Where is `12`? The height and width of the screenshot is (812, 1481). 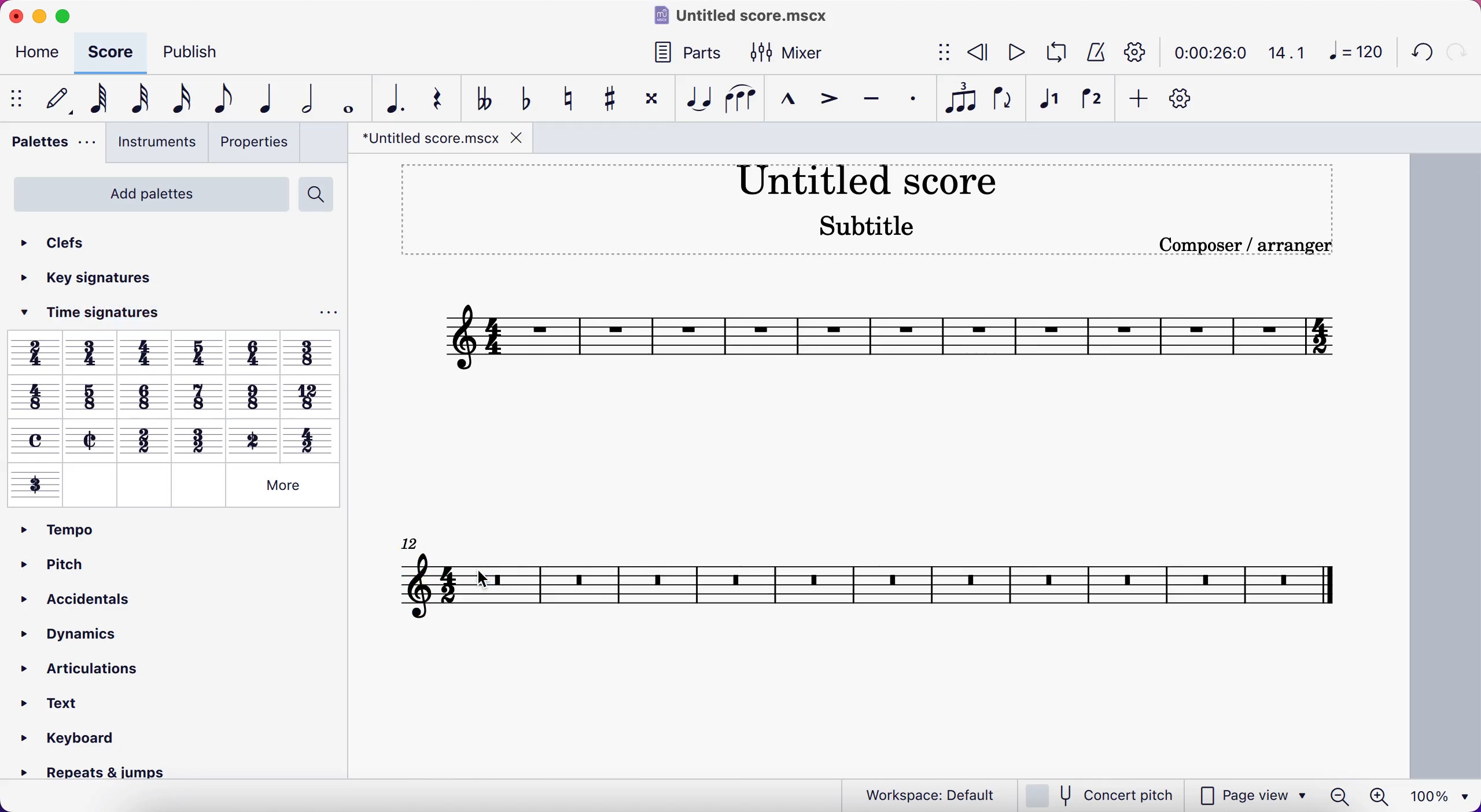
12 is located at coordinates (422, 542).